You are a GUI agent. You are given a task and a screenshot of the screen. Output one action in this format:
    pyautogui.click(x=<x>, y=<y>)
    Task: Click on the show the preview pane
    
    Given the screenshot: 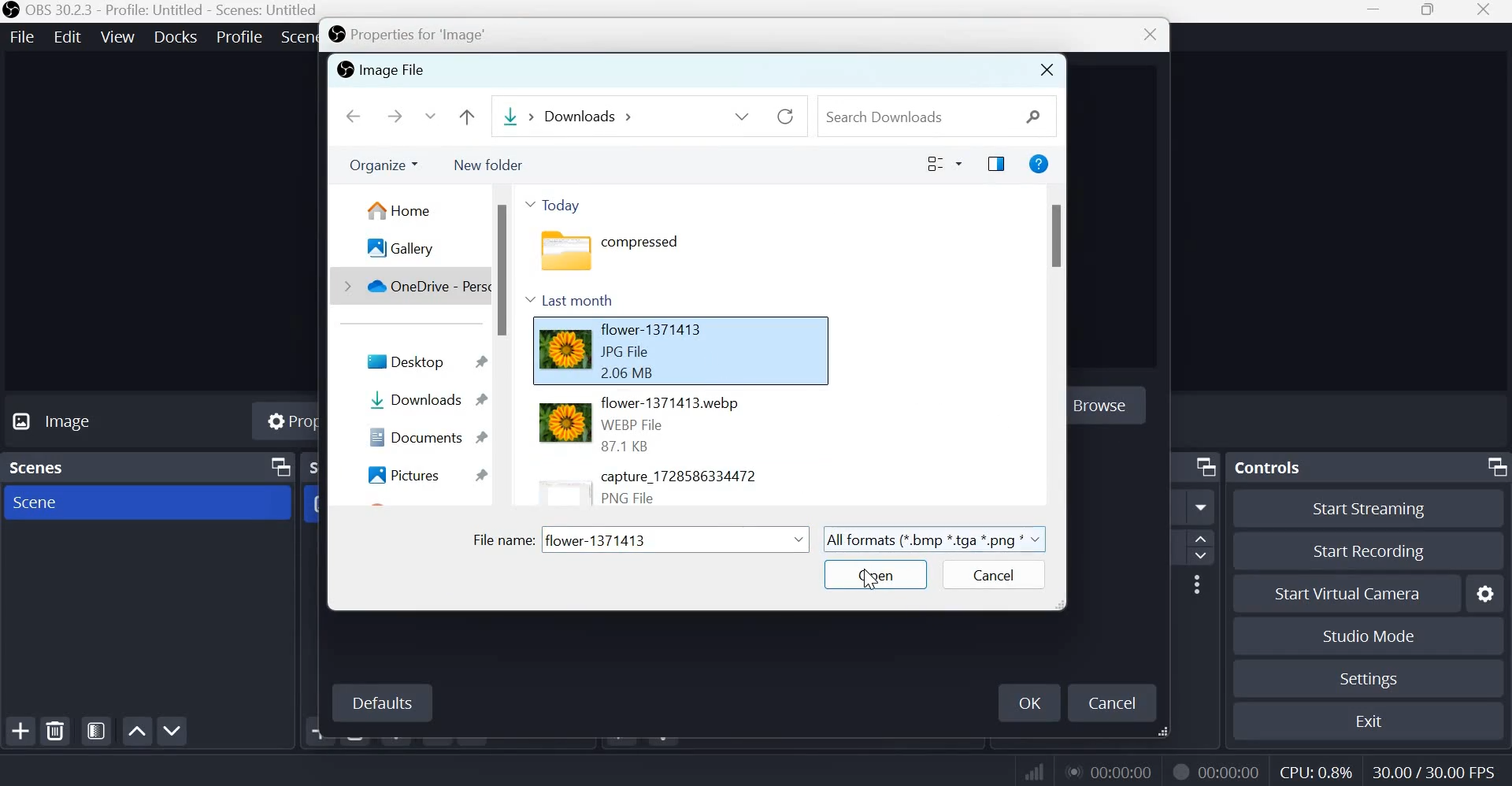 What is the action you would take?
    pyautogui.click(x=992, y=165)
    